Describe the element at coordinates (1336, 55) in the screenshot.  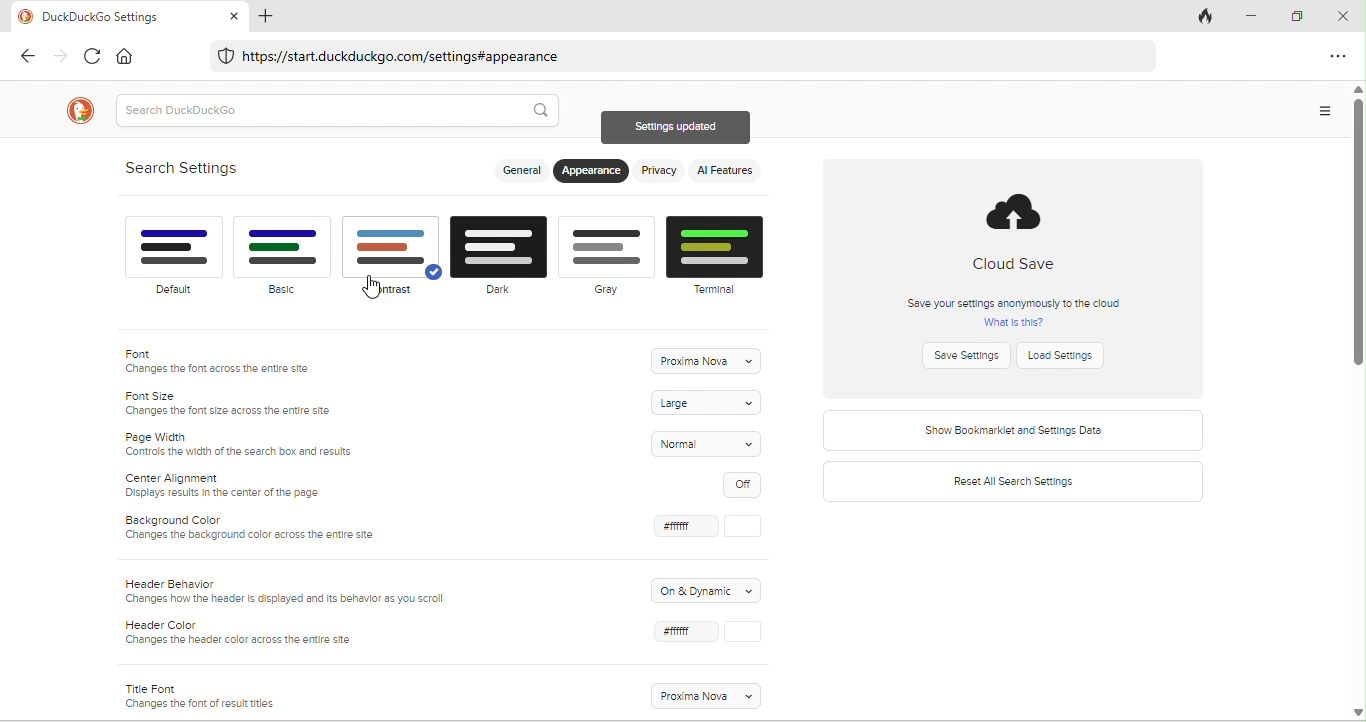
I see `option` at that location.